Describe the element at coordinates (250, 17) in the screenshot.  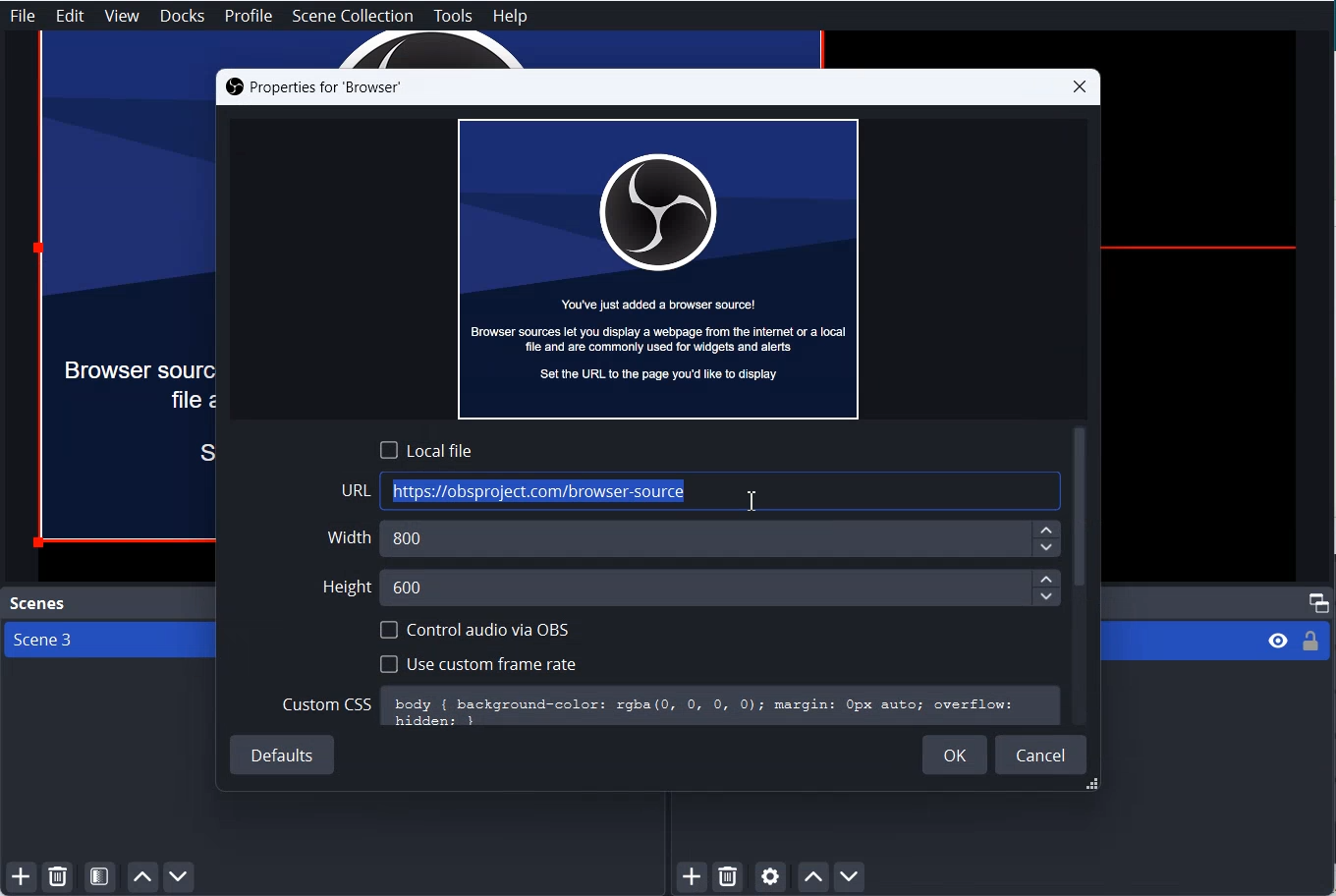
I see `Profile` at that location.